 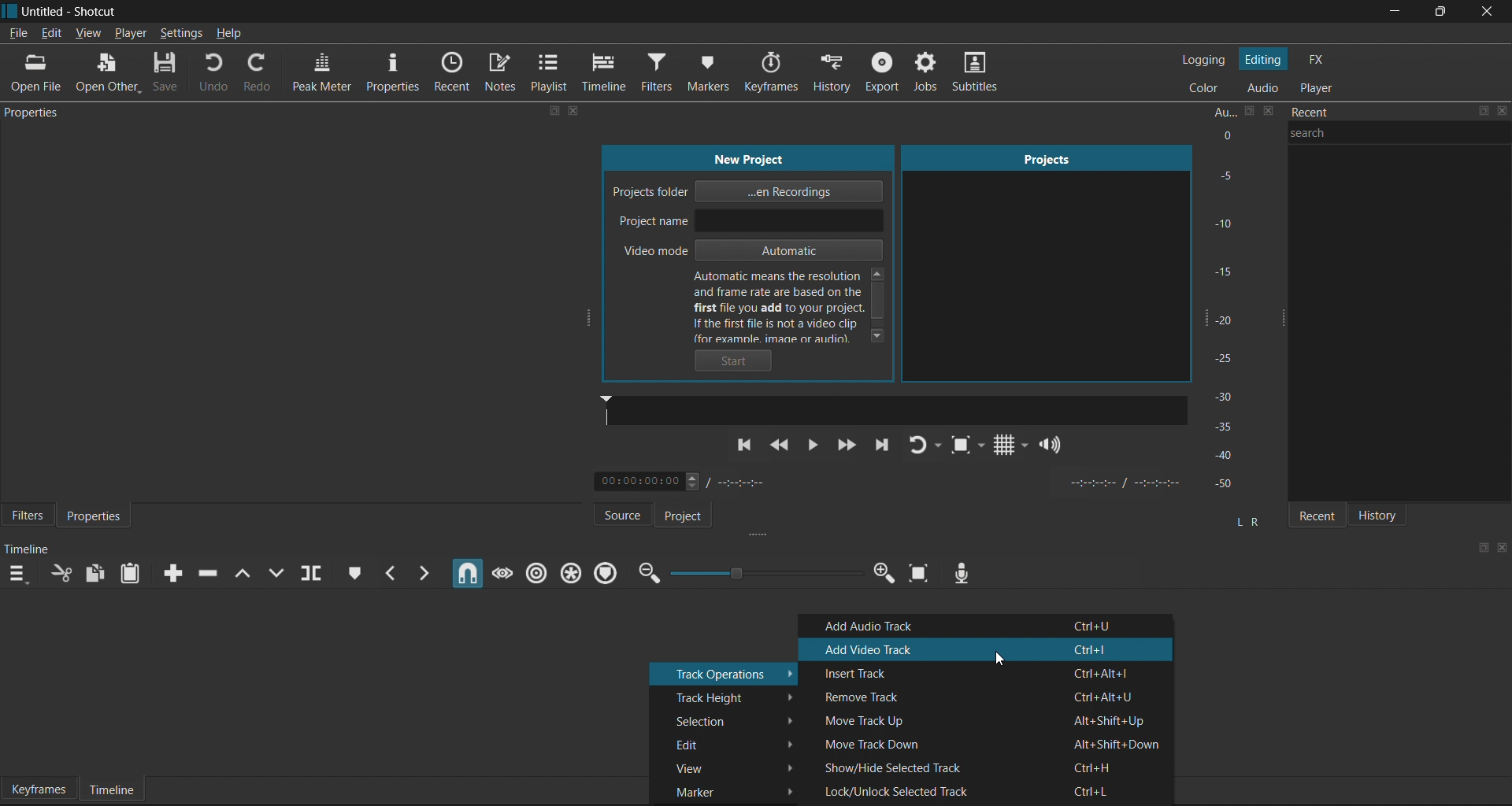 I want to click on timeline, so click(x=30, y=549).